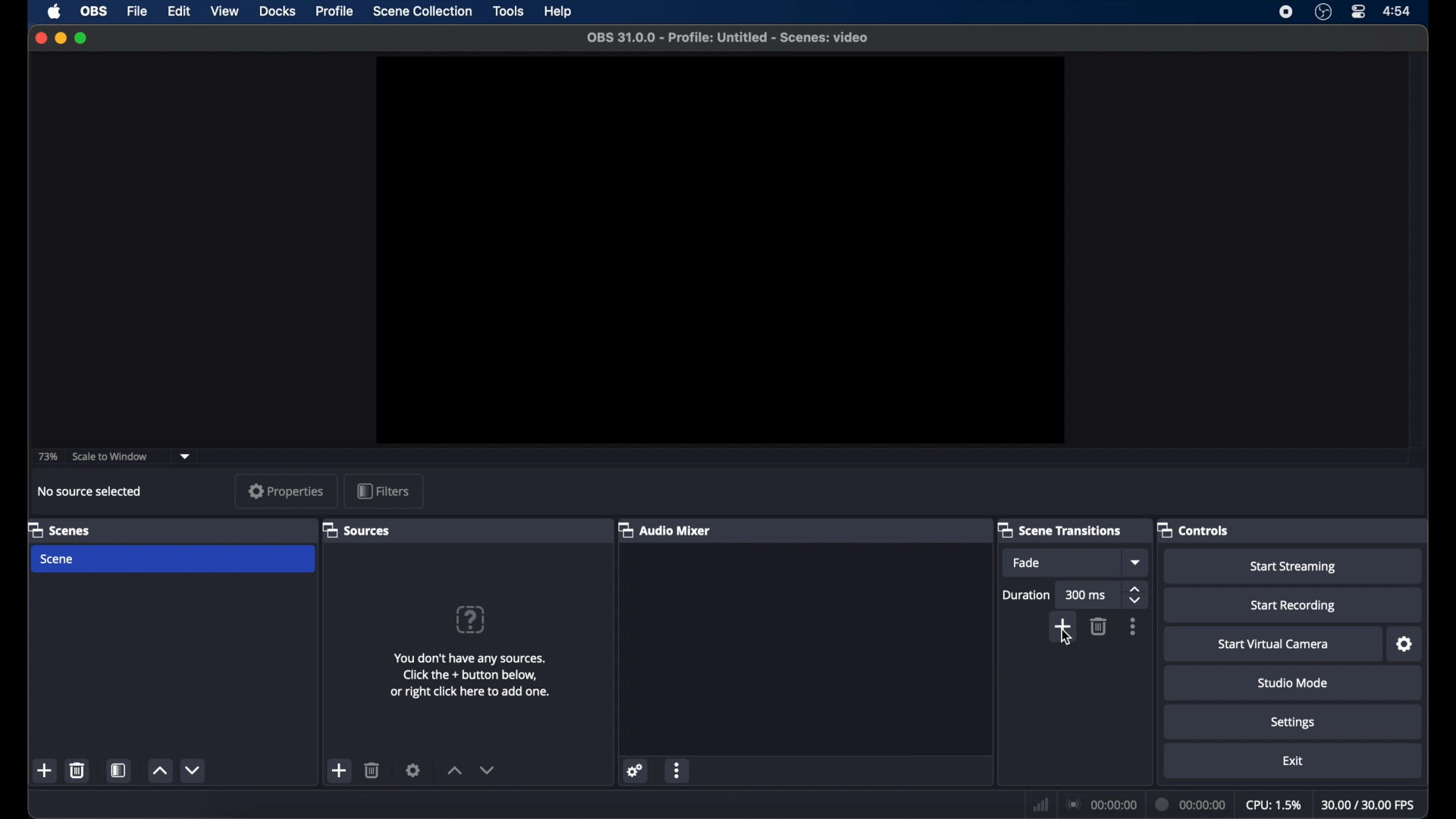 The height and width of the screenshot is (819, 1456). Describe the element at coordinates (1370, 805) in the screenshot. I see `fps` at that location.